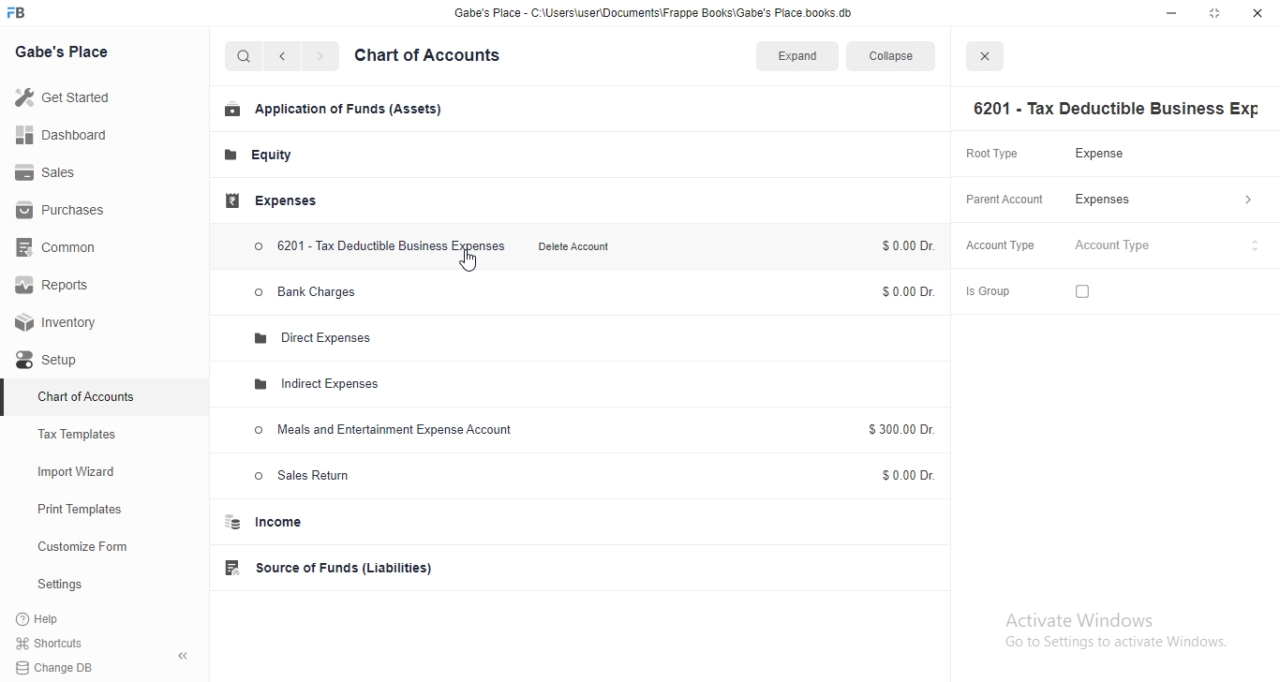  Describe the element at coordinates (50, 173) in the screenshot. I see `Sales` at that location.